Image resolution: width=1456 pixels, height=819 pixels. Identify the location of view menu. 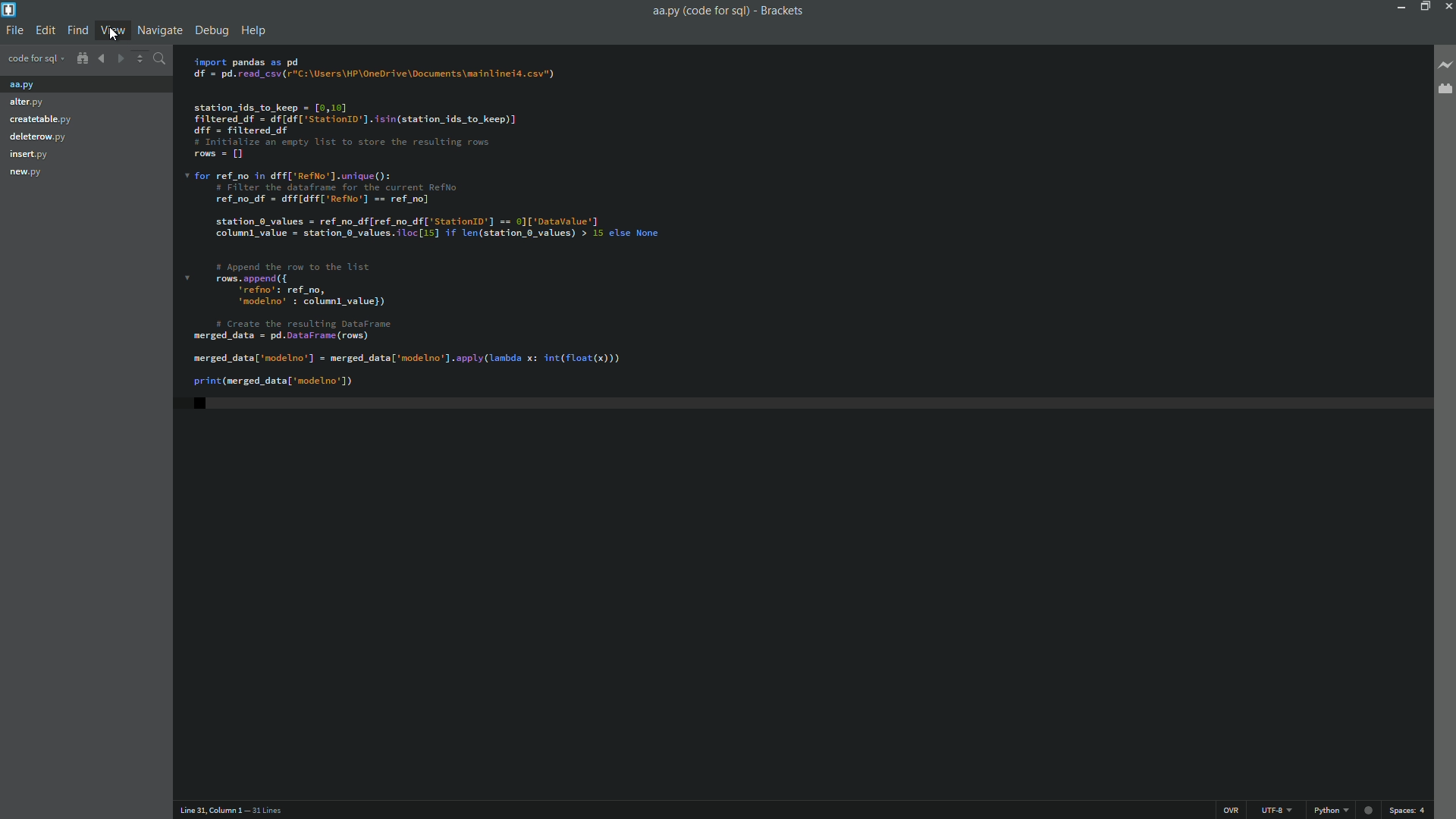
(115, 30).